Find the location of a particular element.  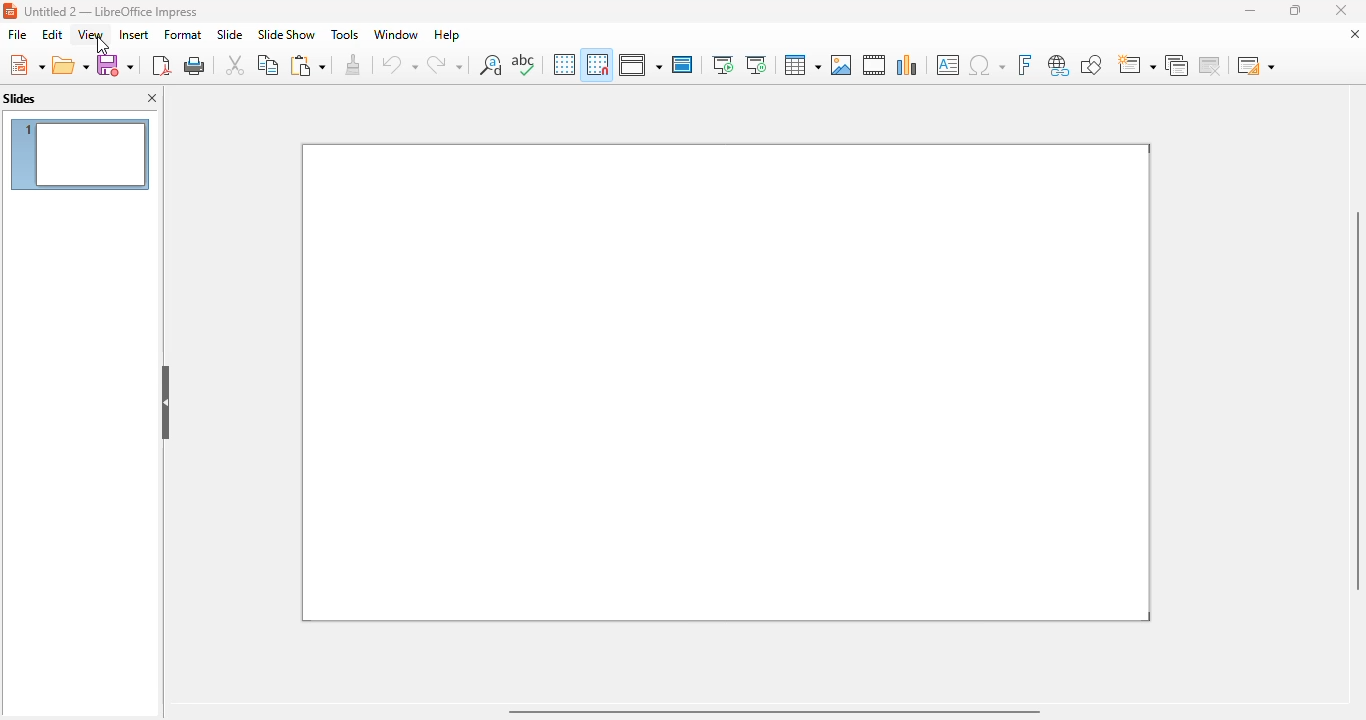

new is located at coordinates (26, 64).